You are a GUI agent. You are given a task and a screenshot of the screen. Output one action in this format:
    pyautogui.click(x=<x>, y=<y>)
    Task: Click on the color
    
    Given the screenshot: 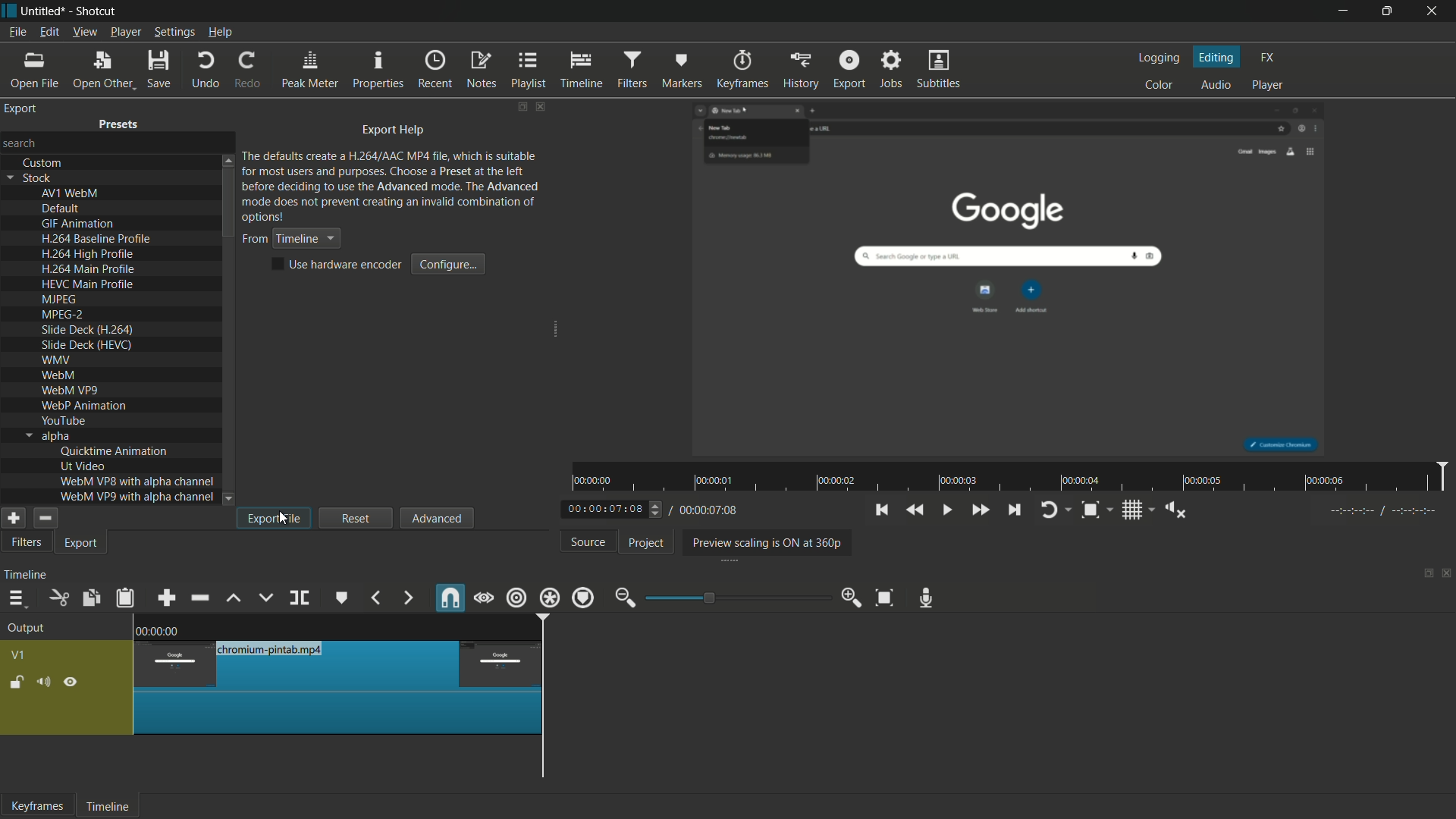 What is the action you would take?
    pyautogui.click(x=1161, y=84)
    